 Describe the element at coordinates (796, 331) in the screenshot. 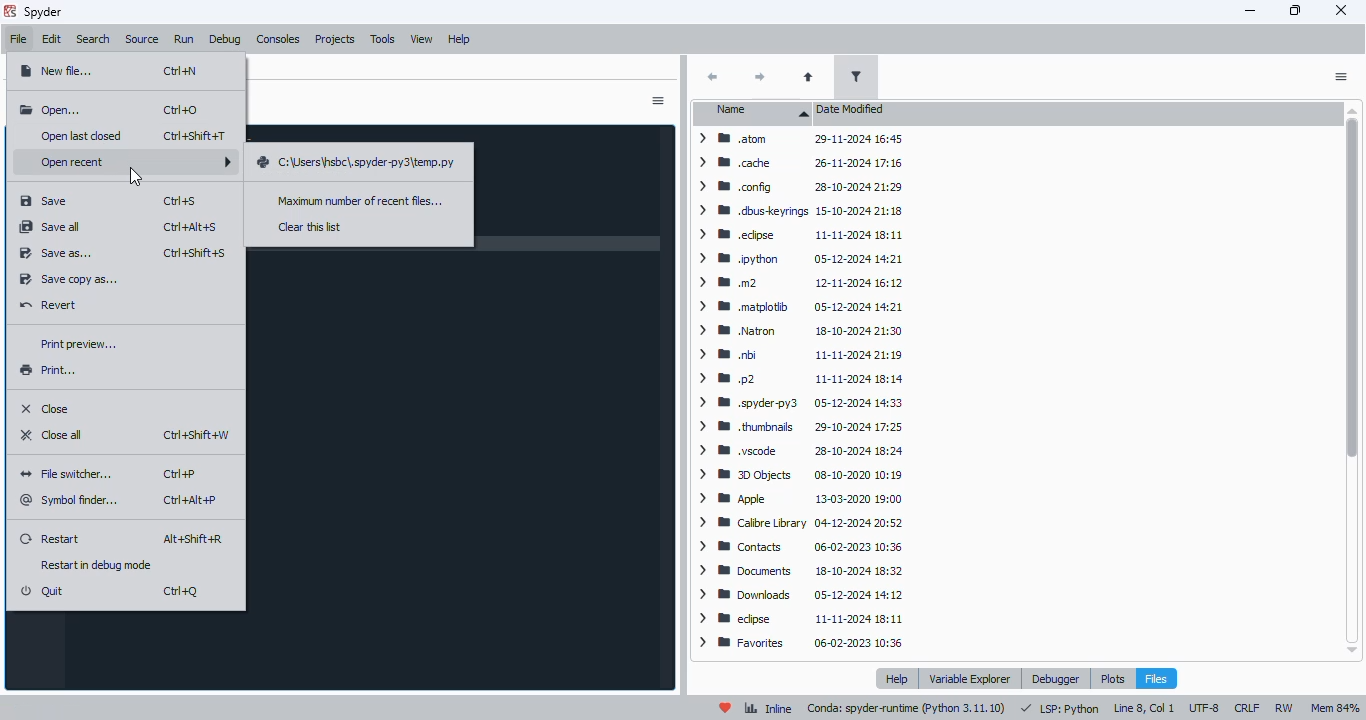

I see `> WW Natron 18-10-2024 21:30` at that location.